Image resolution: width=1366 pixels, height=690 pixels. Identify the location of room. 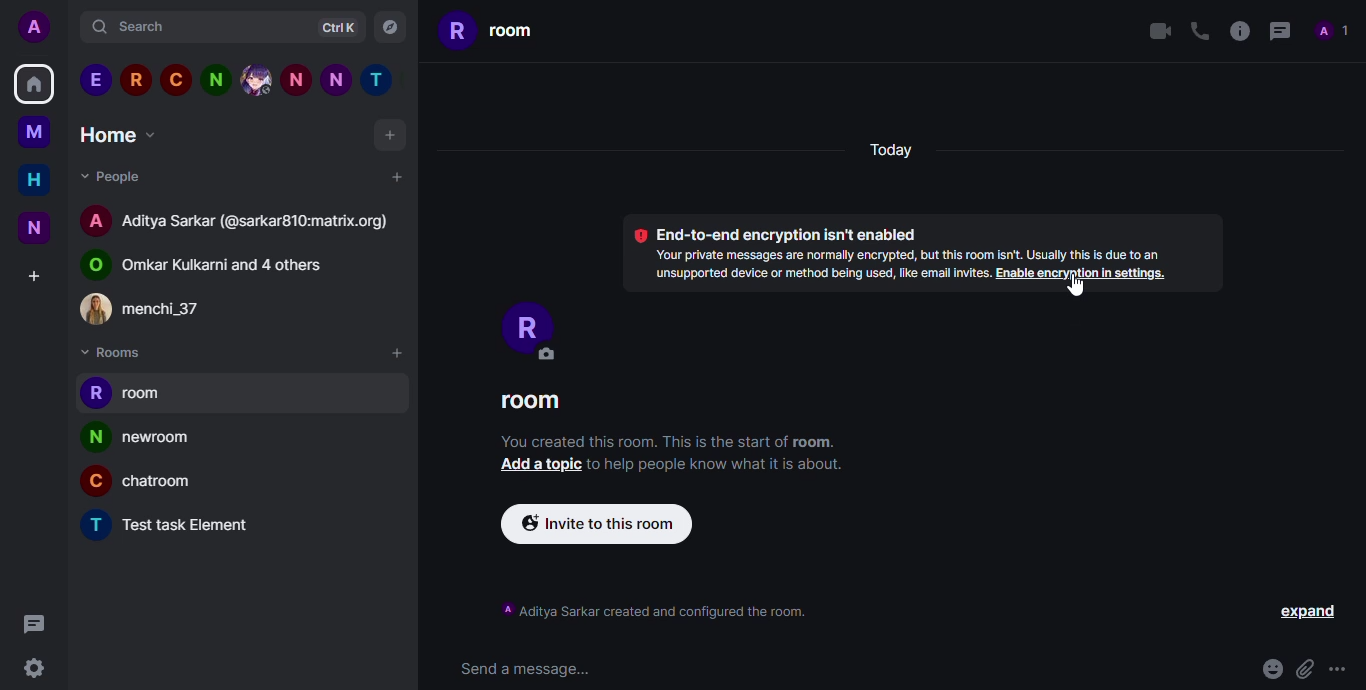
(527, 401).